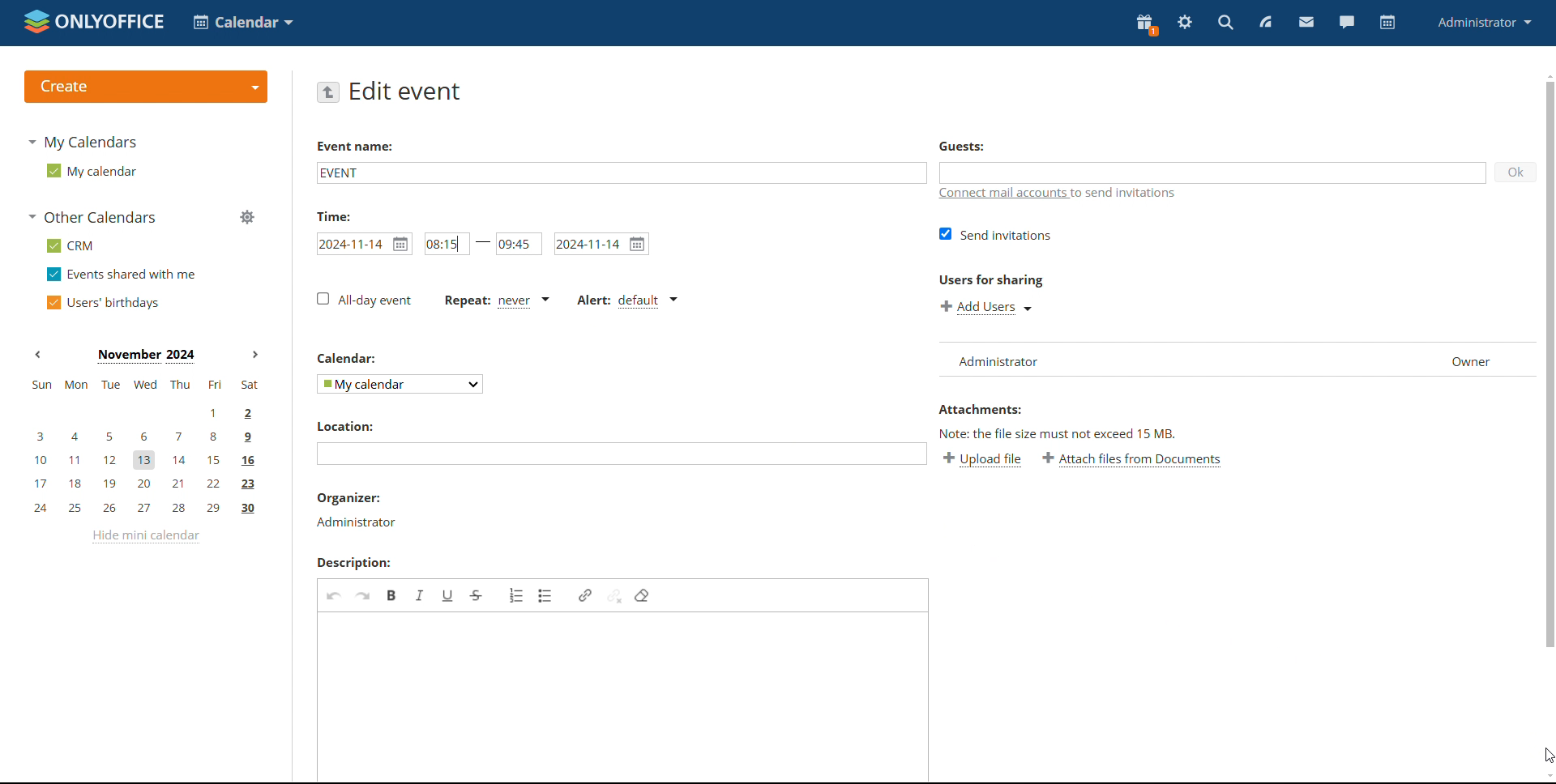  What do you see at coordinates (1266, 23) in the screenshot?
I see `feed` at bounding box center [1266, 23].